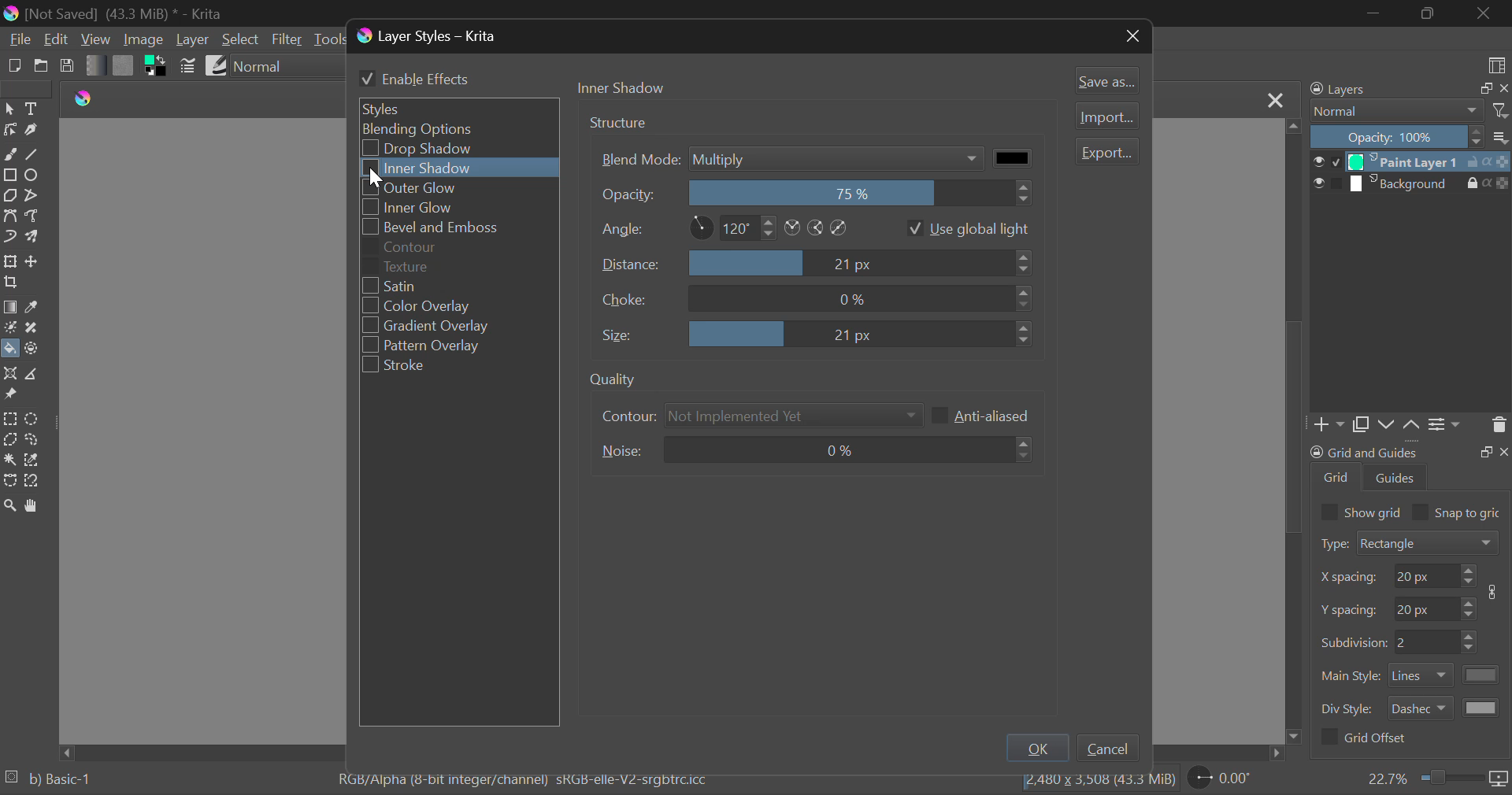 The width and height of the screenshot is (1512, 795). Describe the element at coordinates (9, 129) in the screenshot. I see `Edit Shapes` at that location.